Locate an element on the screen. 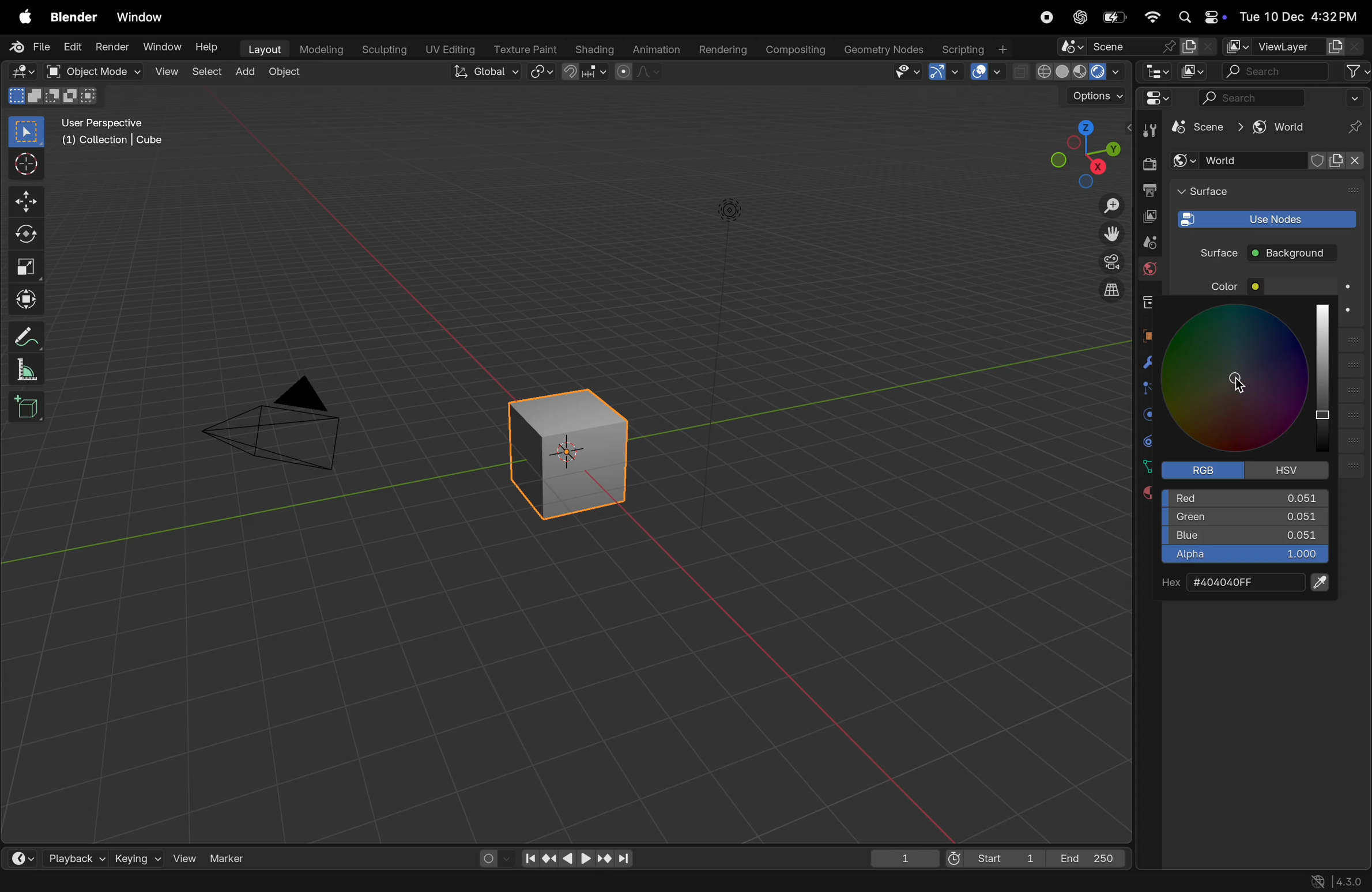 The image size is (1372, 892). 3d cube is located at coordinates (576, 448).